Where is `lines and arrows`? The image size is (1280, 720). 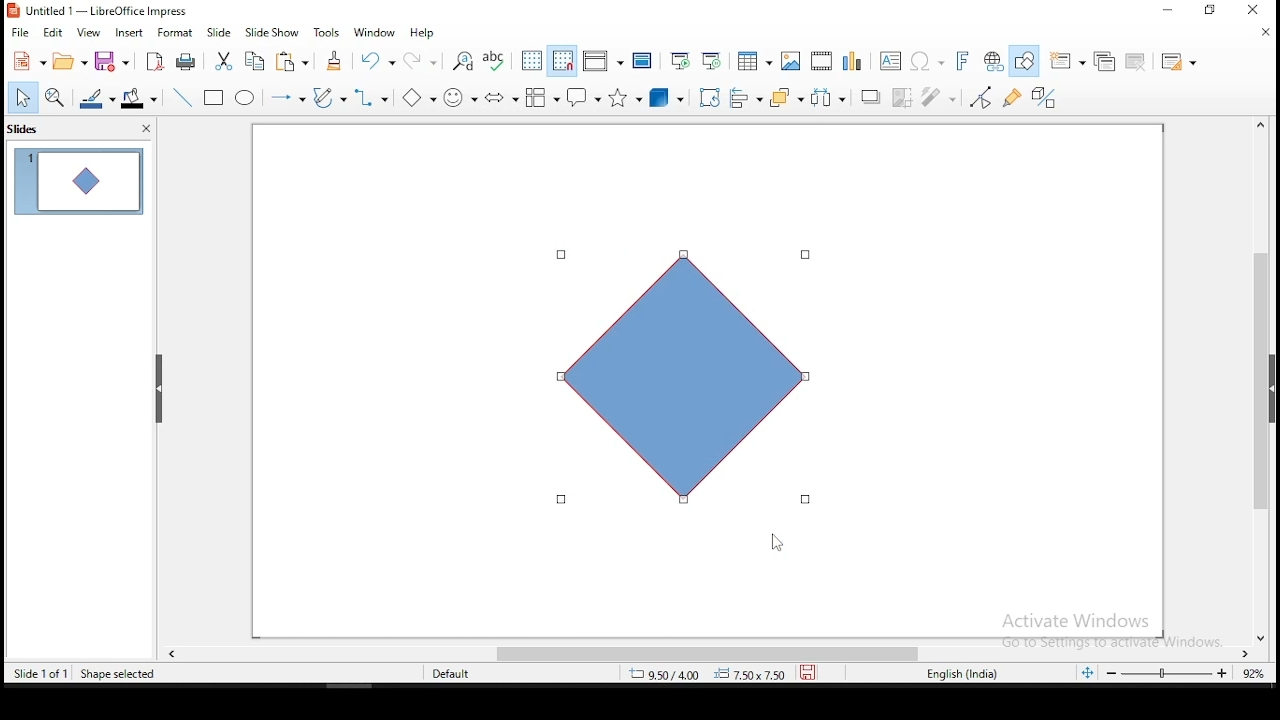
lines and arrows is located at coordinates (291, 100).